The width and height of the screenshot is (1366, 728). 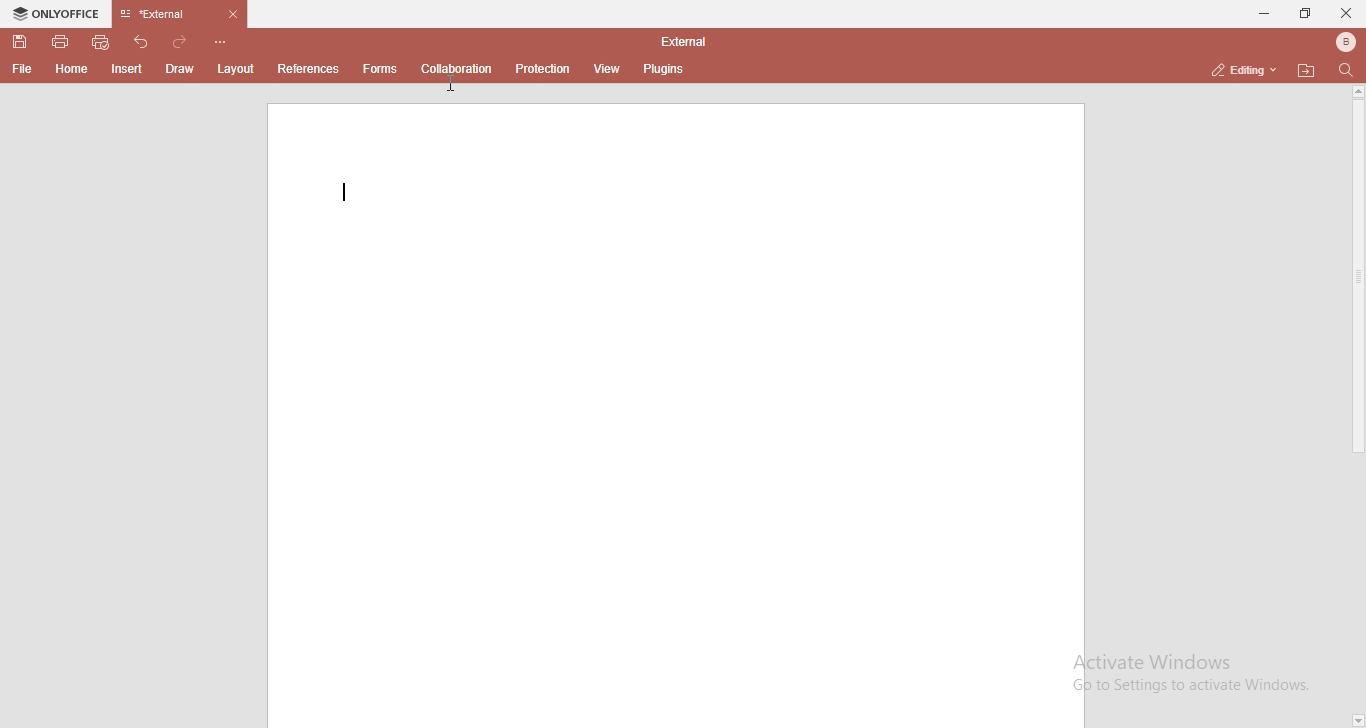 I want to click on close, so click(x=1348, y=14).